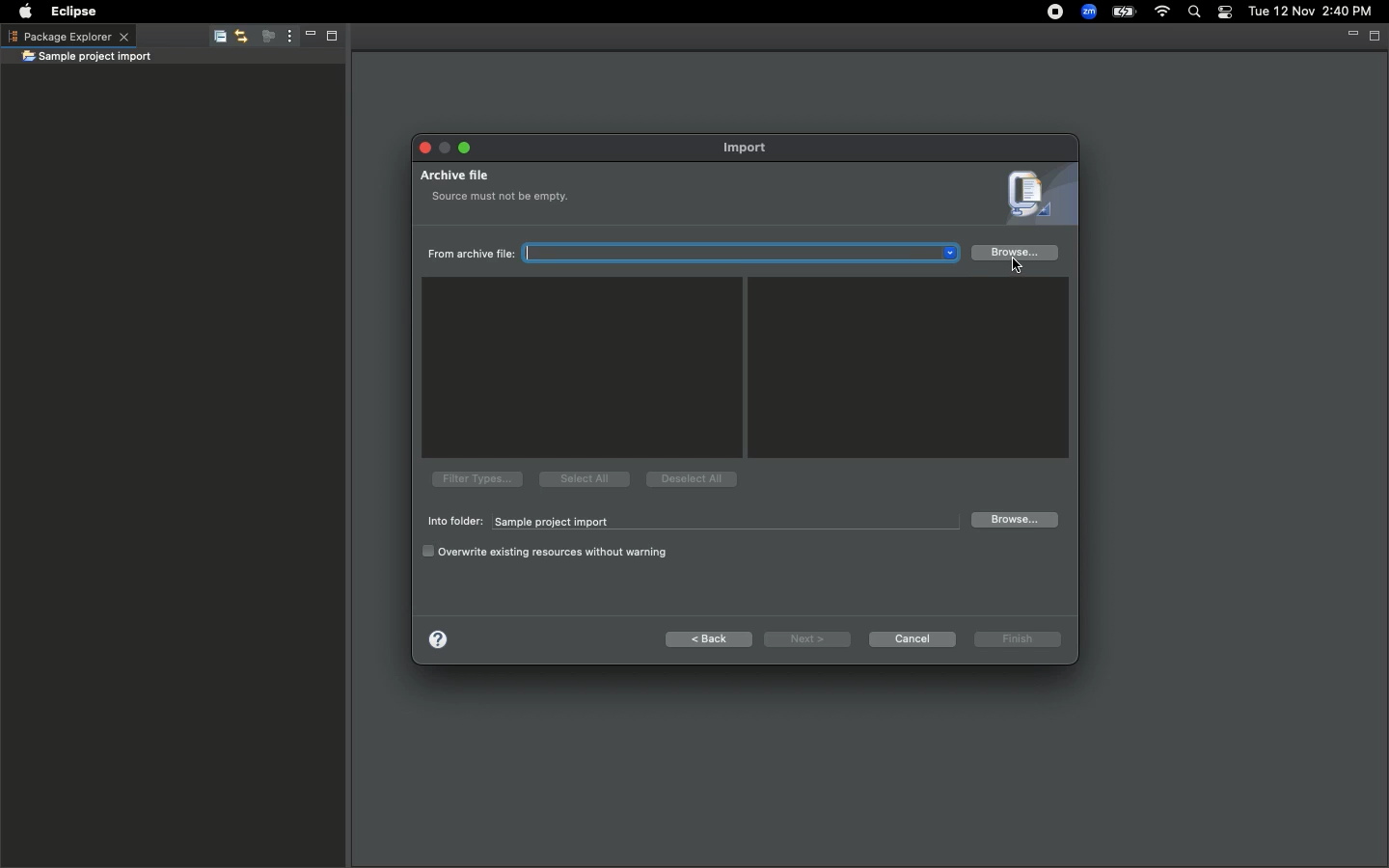 The width and height of the screenshot is (1389, 868). I want to click on Charge, so click(1126, 12).